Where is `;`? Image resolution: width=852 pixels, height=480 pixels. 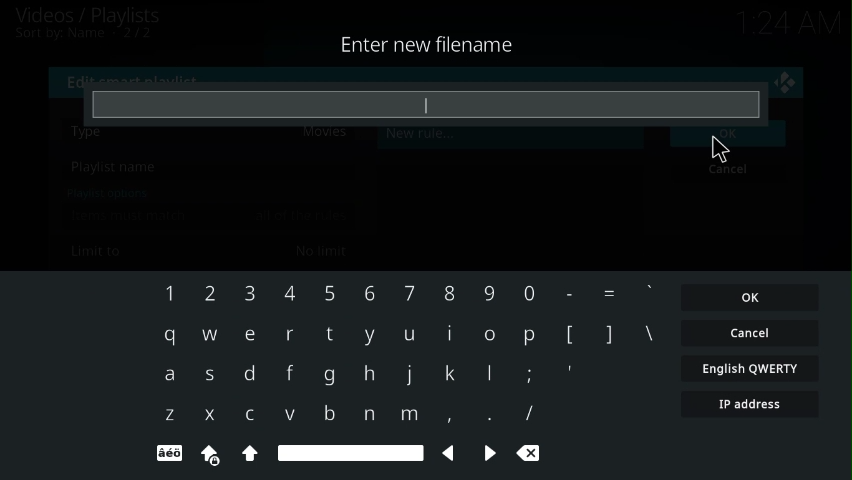
; is located at coordinates (523, 376).